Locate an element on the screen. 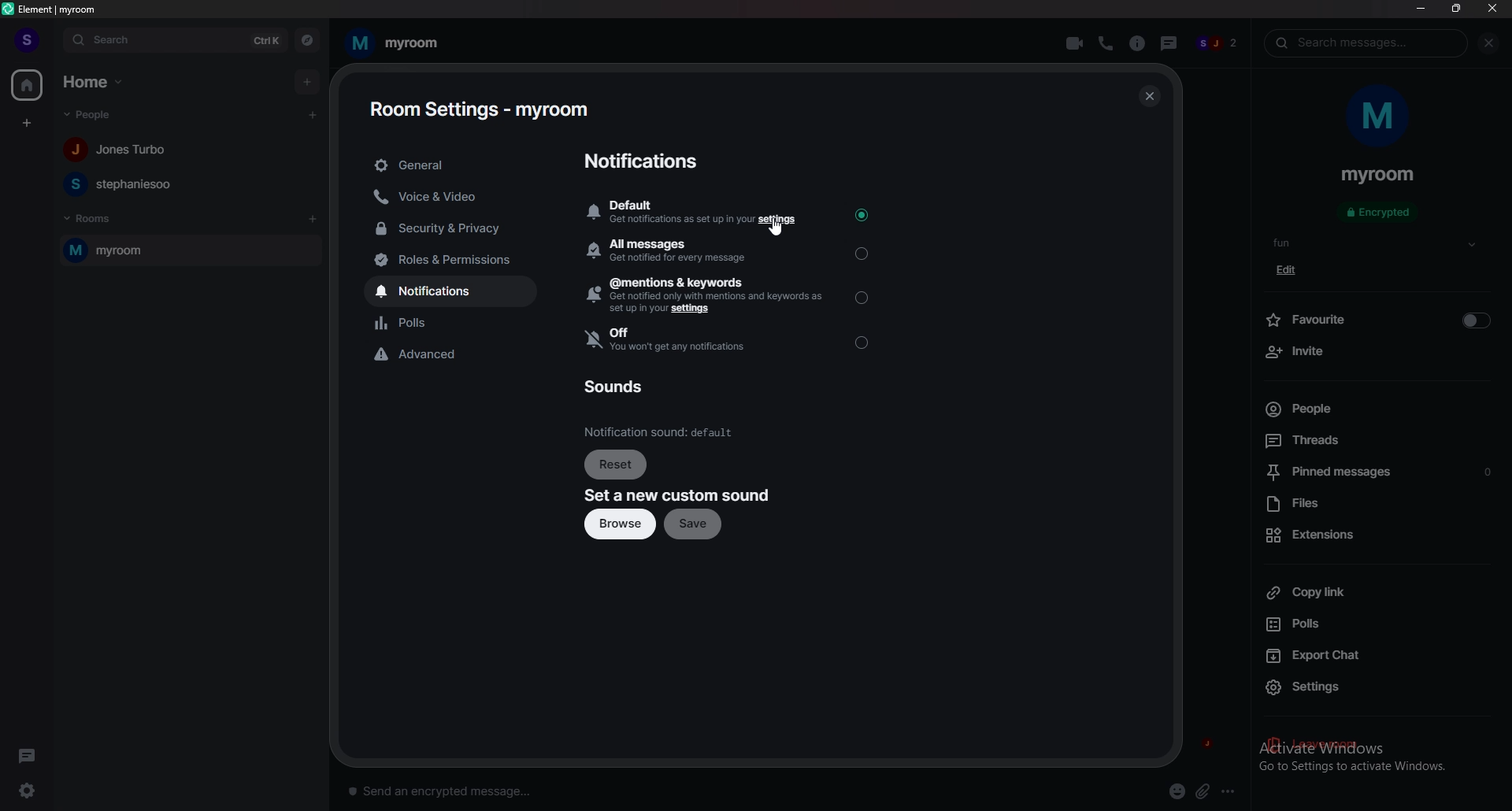 Image resolution: width=1512 pixels, height=811 pixels. polls is located at coordinates (458, 323).